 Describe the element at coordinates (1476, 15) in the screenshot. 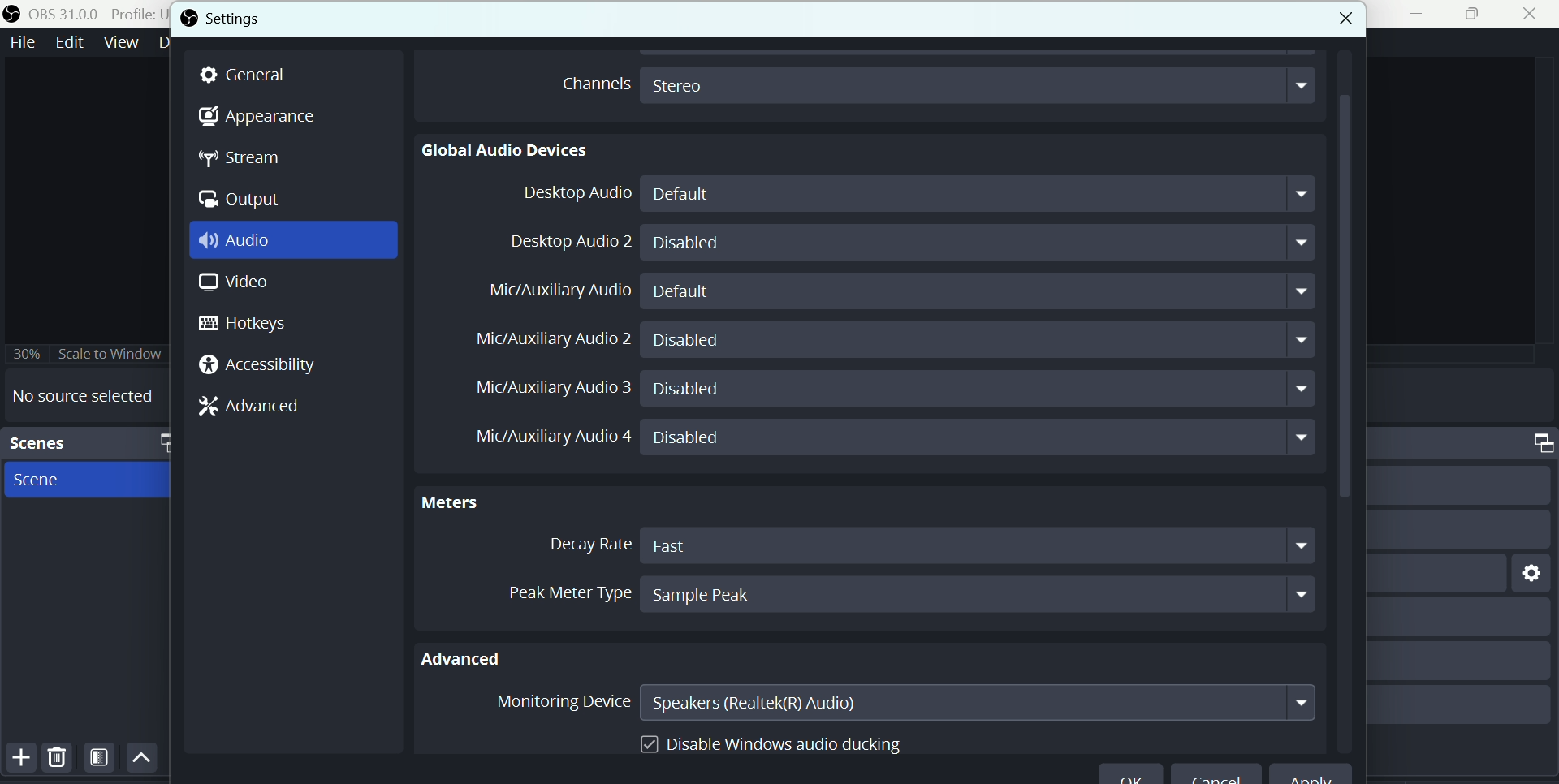

I see `maximise` at that location.